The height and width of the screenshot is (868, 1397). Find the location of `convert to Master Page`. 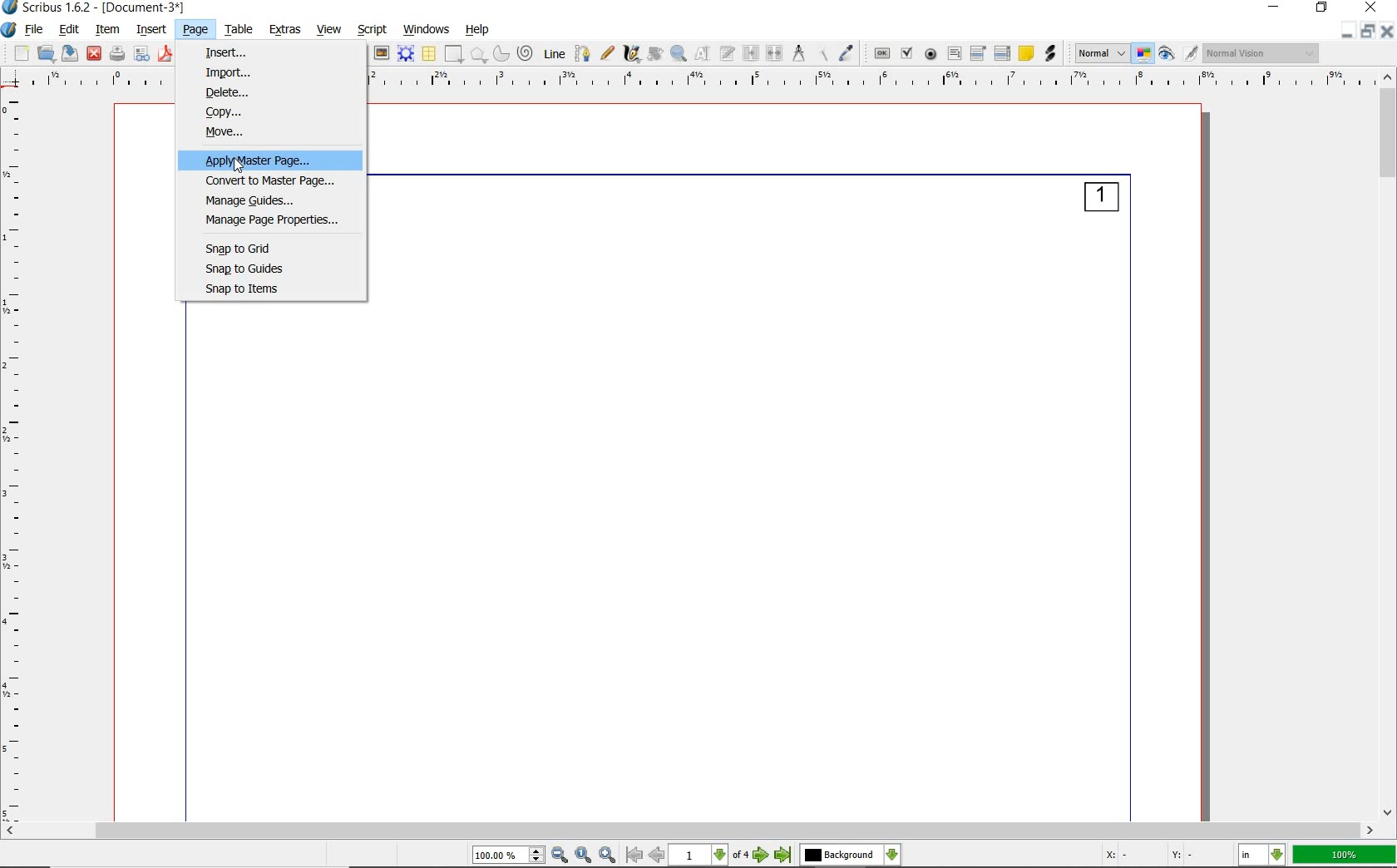

convert to Master Page is located at coordinates (274, 181).